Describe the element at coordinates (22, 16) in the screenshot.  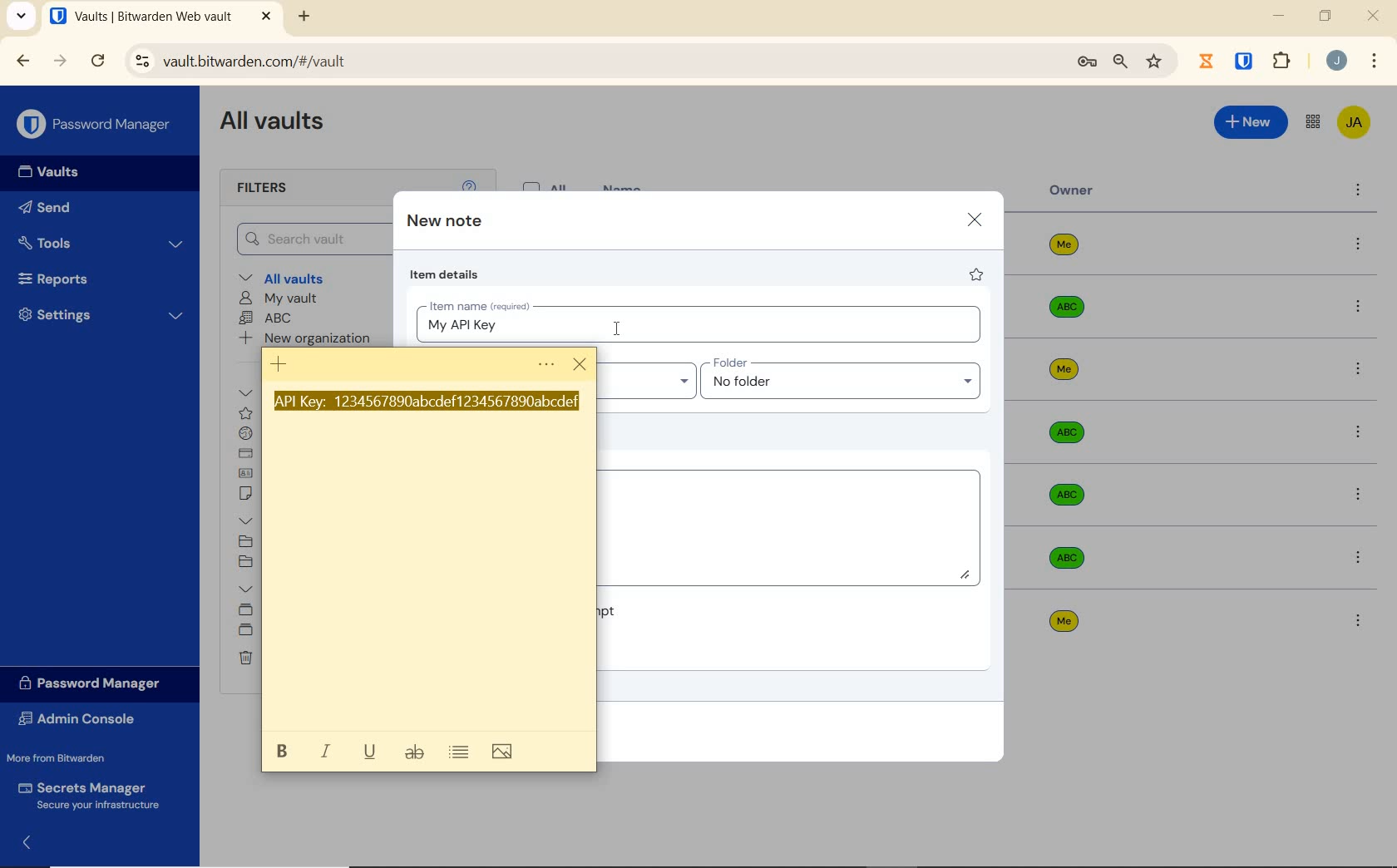
I see `search tabs` at that location.